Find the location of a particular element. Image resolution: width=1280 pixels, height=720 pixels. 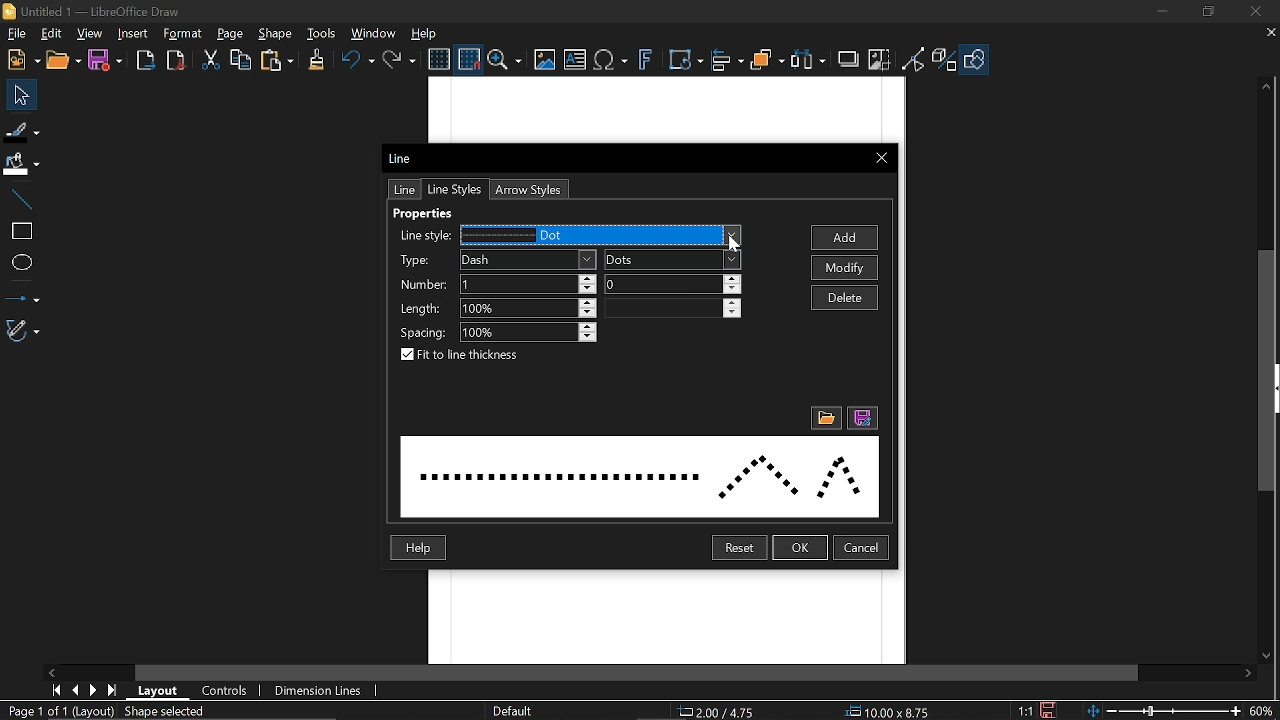

Snap to grid is located at coordinates (467, 58).